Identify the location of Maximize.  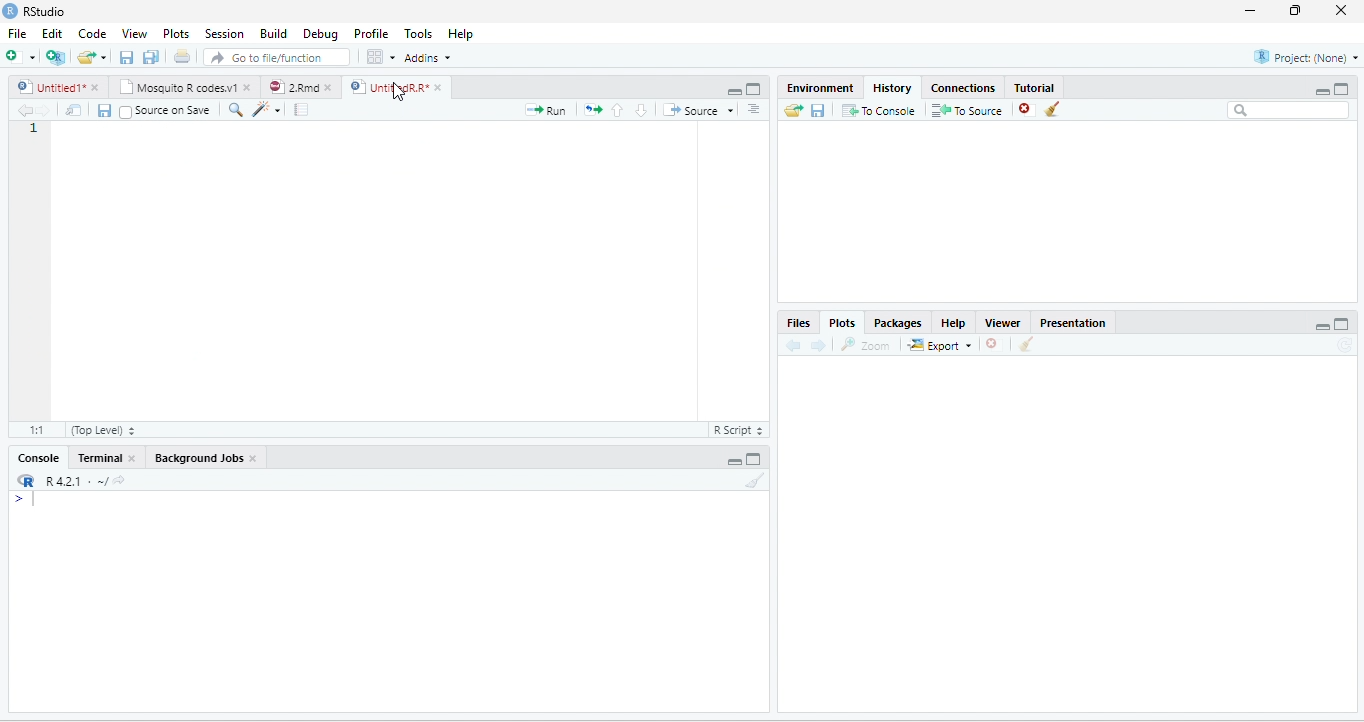
(1343, 323).